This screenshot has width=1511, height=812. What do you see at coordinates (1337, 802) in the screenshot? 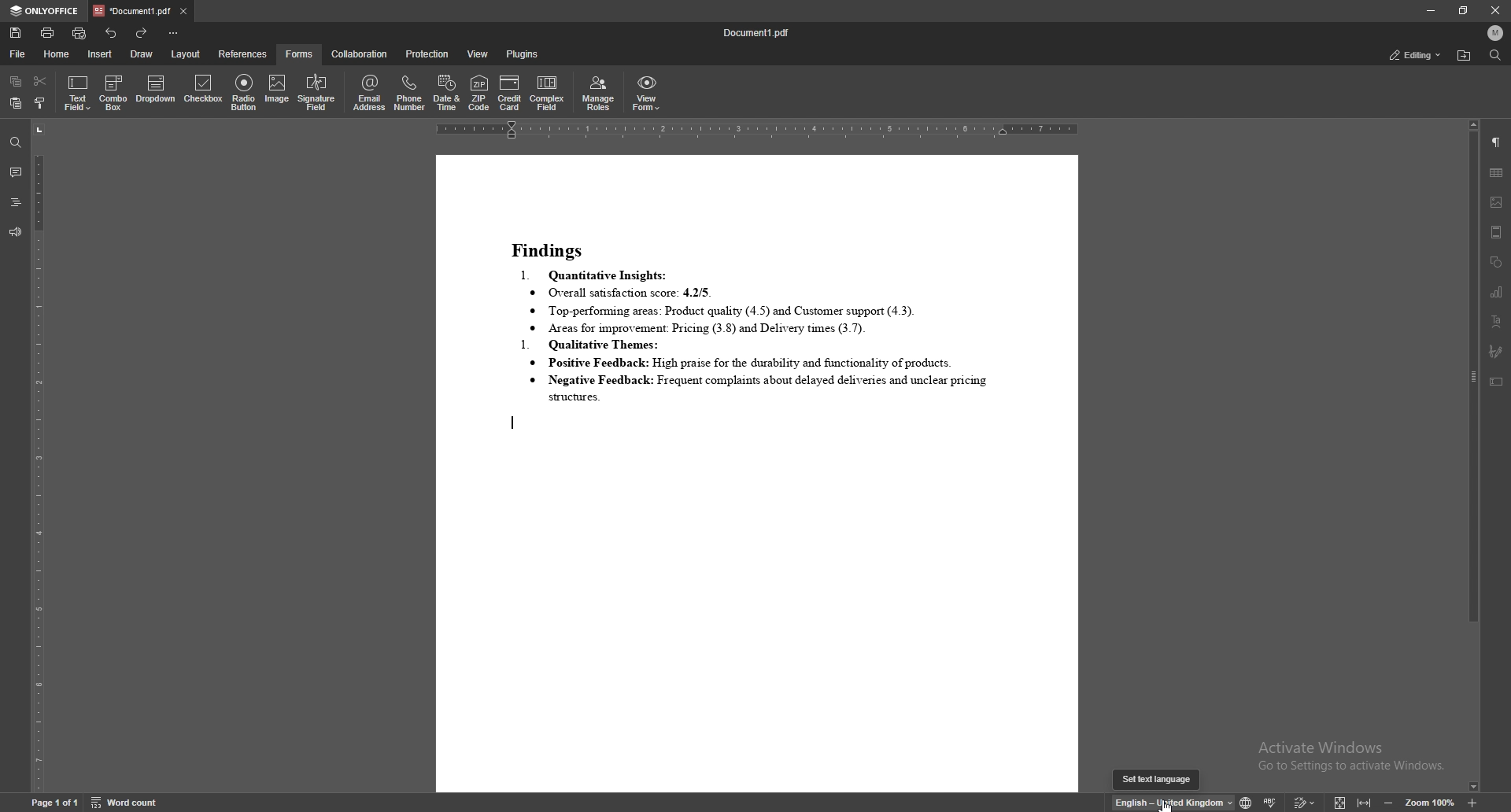
I see `fit to screen` at bounding box center [1337, 802].